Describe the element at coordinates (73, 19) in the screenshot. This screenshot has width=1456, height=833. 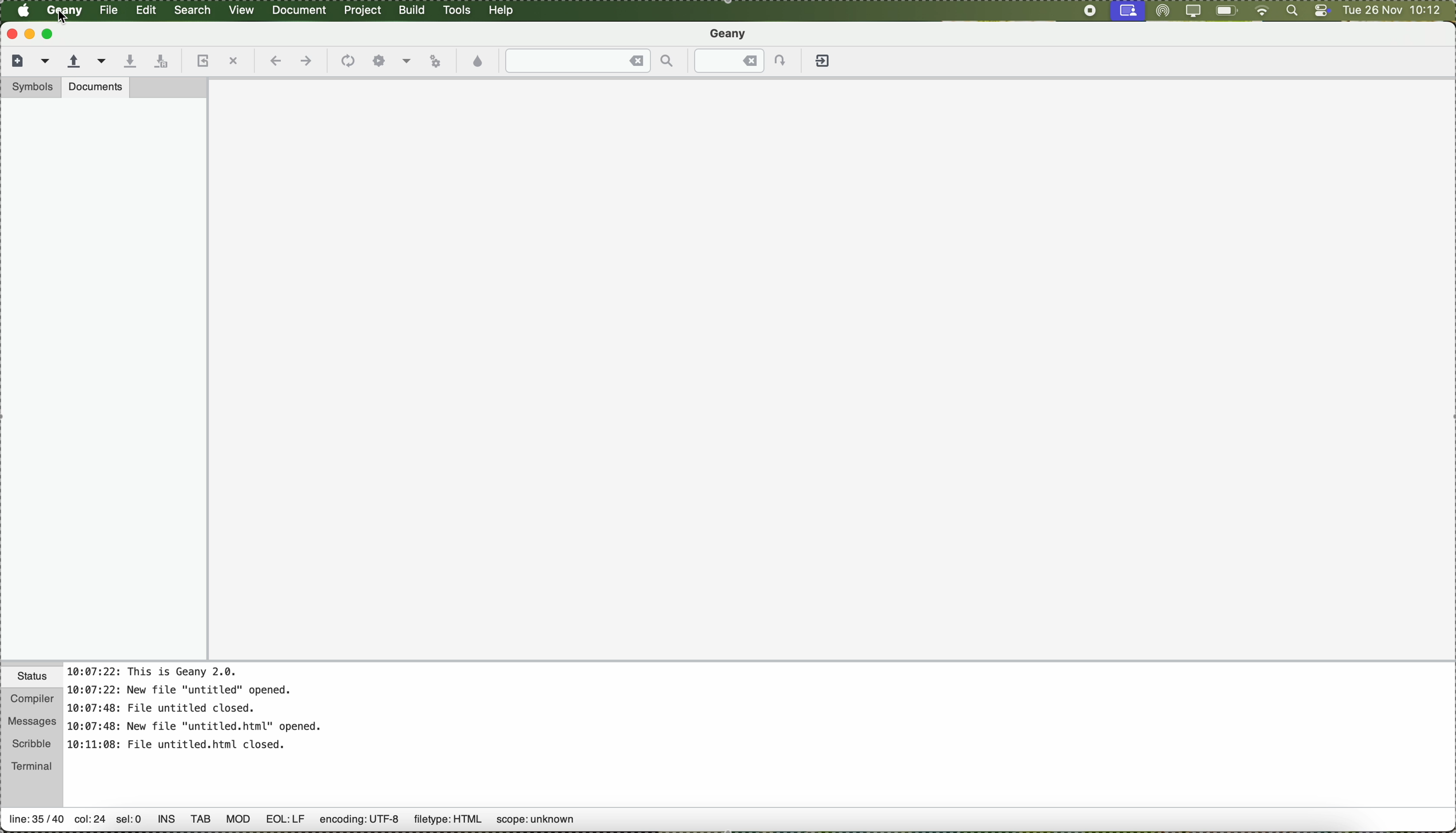
I see `Pointer` at that location.